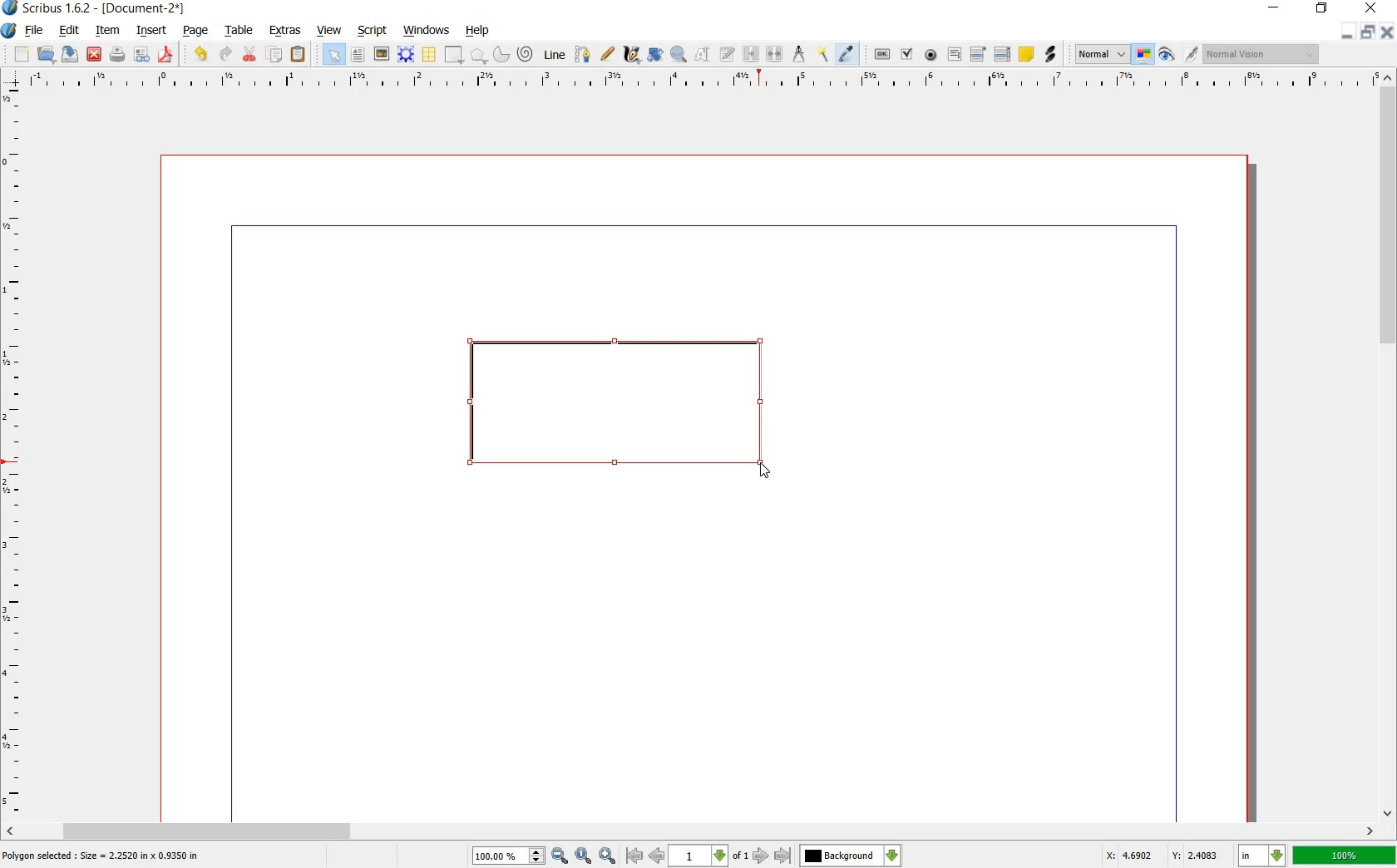  What do you see at coordinates (68, 54) in the screenshot?
I see `SAVE` at bounding box center [68, 54].